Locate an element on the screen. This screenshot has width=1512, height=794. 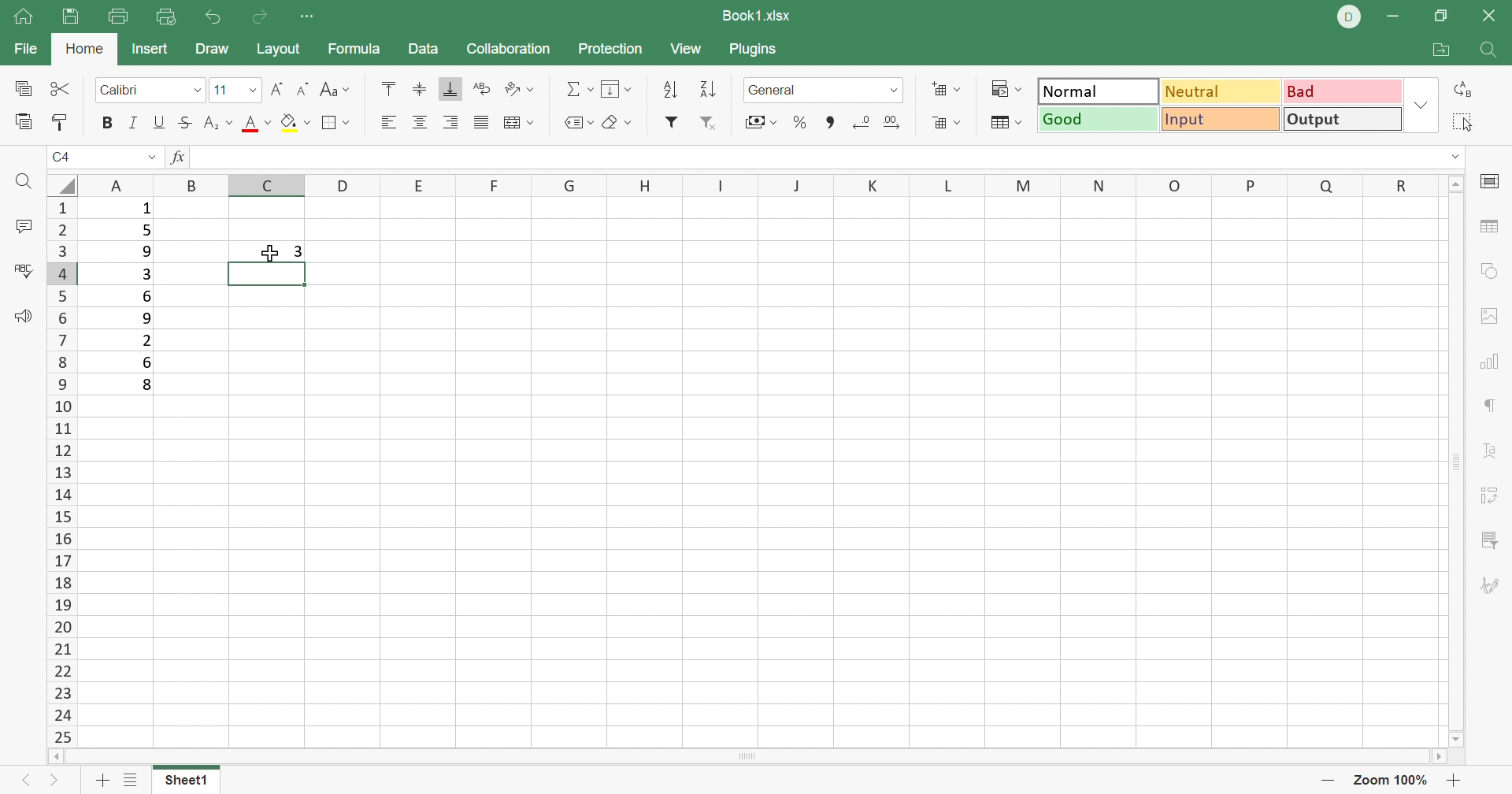
Collaboration is located at coordinates (511, 50).